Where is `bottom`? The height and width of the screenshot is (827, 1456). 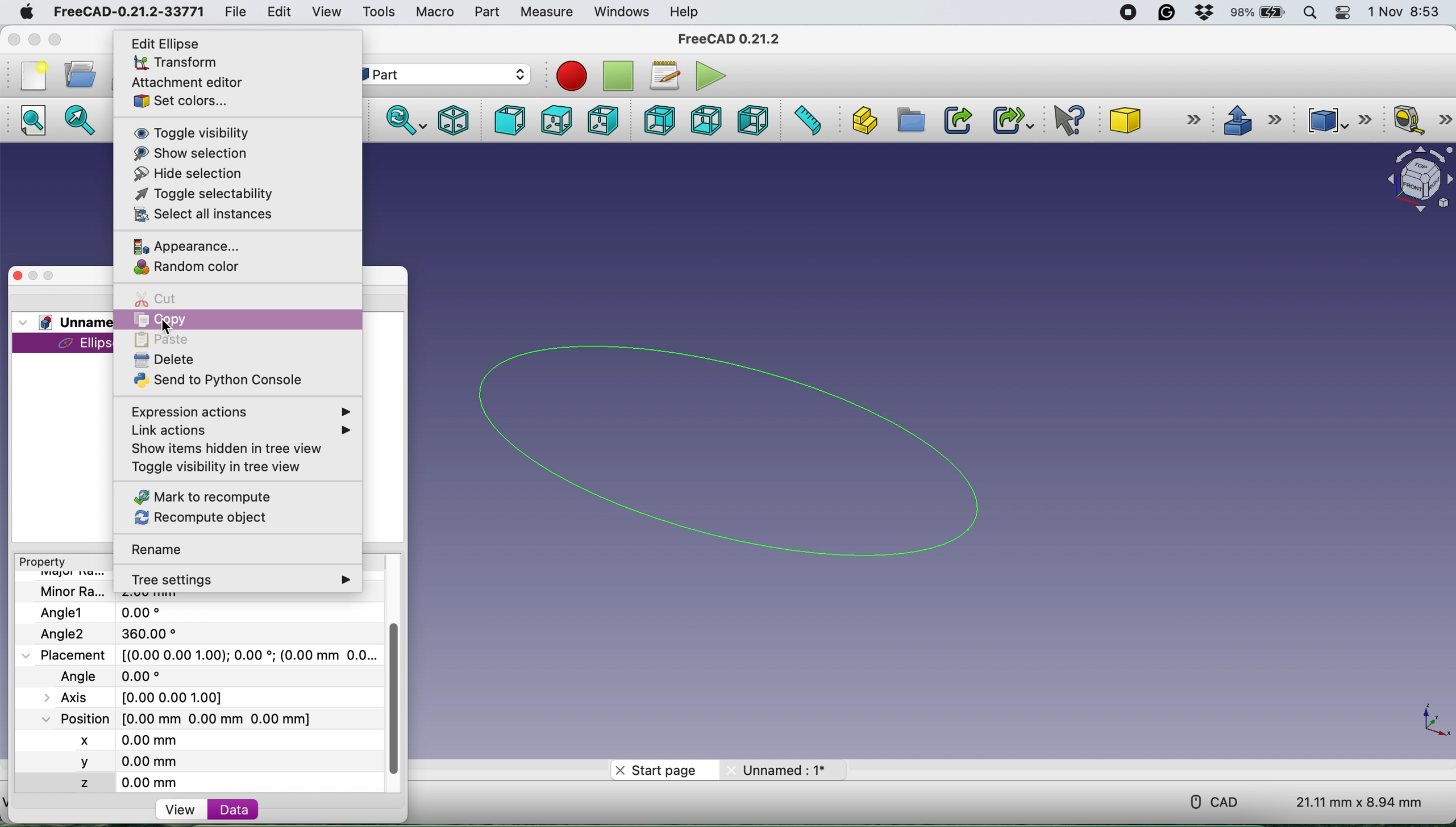 bottom is located at coordinates (705, 121).